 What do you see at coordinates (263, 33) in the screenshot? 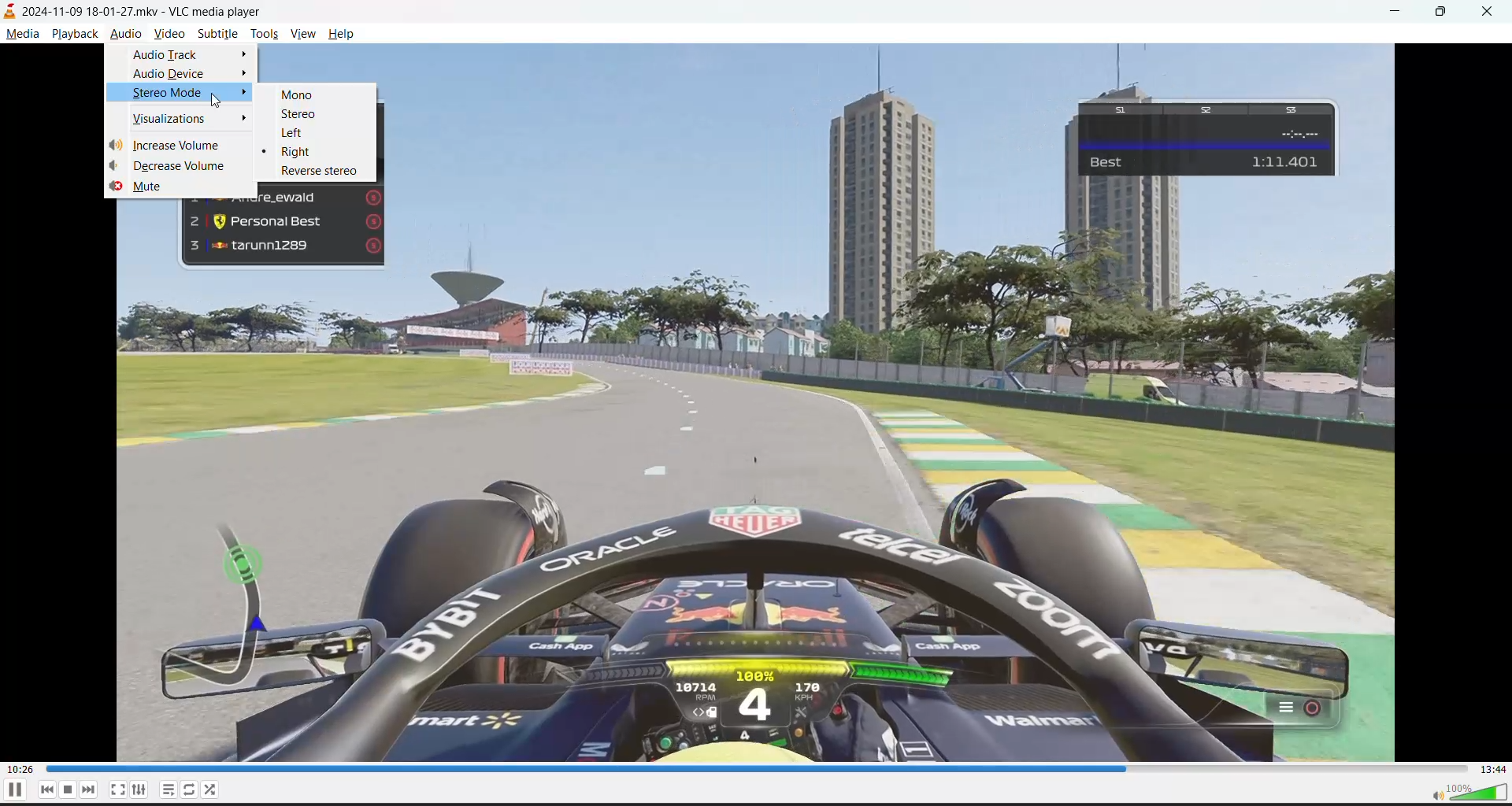
I see `tools` at bounding box center [263, 33].